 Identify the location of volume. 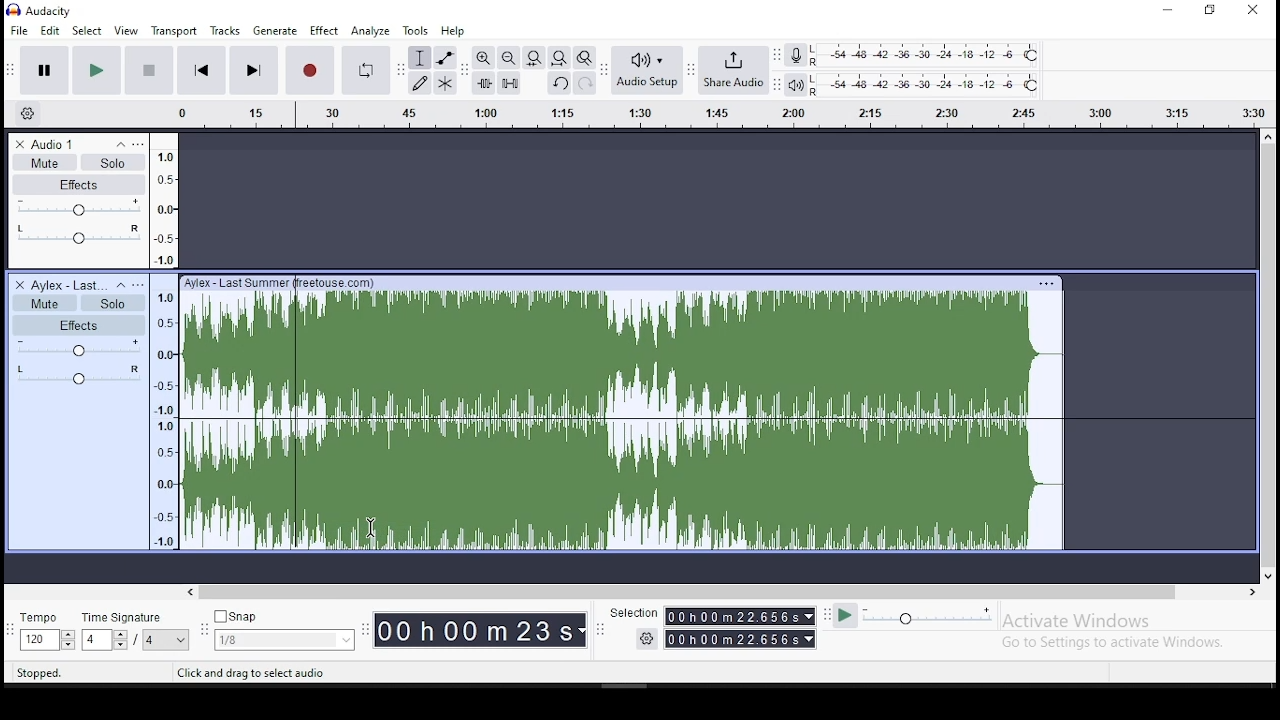
(78, 348).